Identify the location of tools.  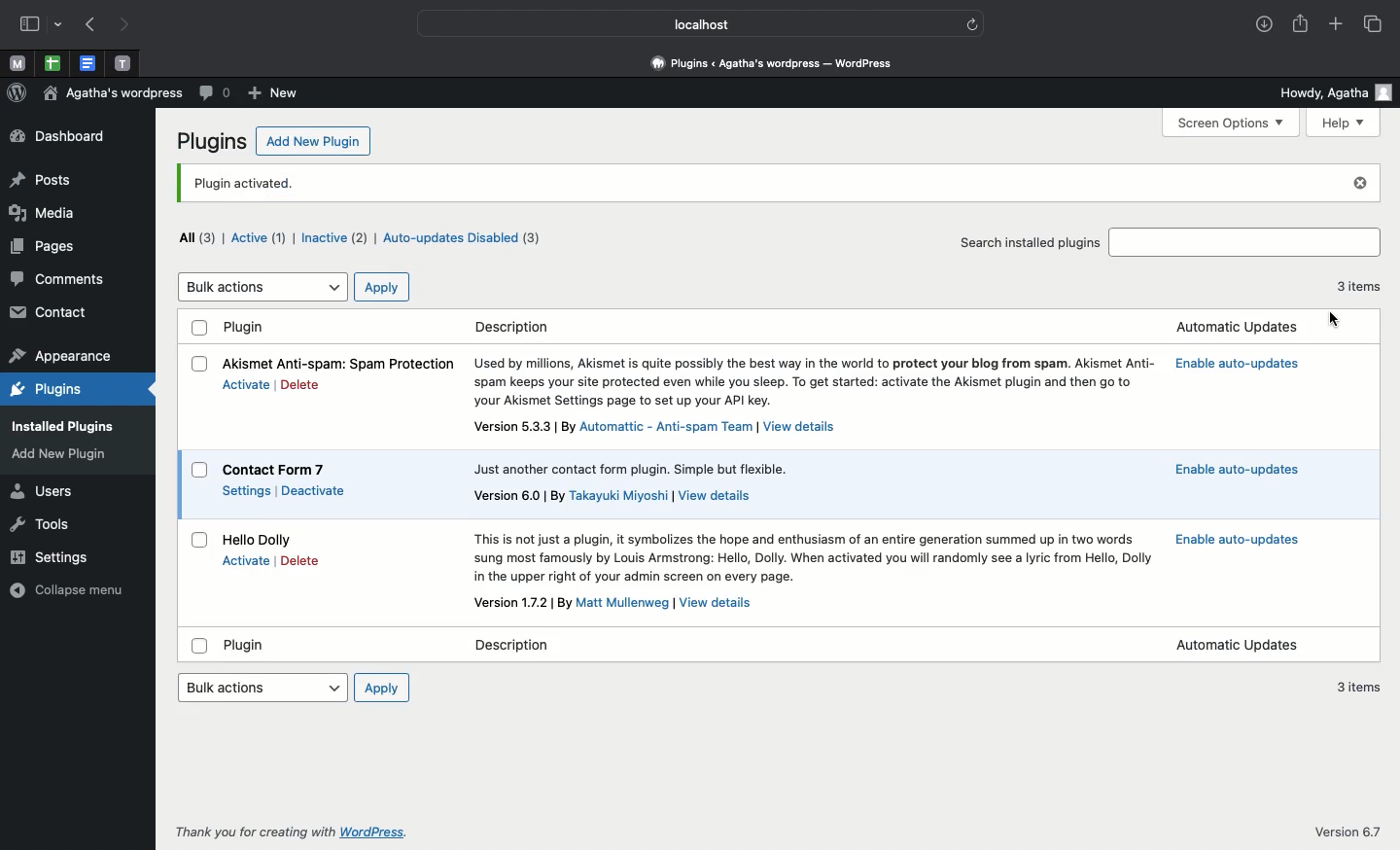
(44, 525).